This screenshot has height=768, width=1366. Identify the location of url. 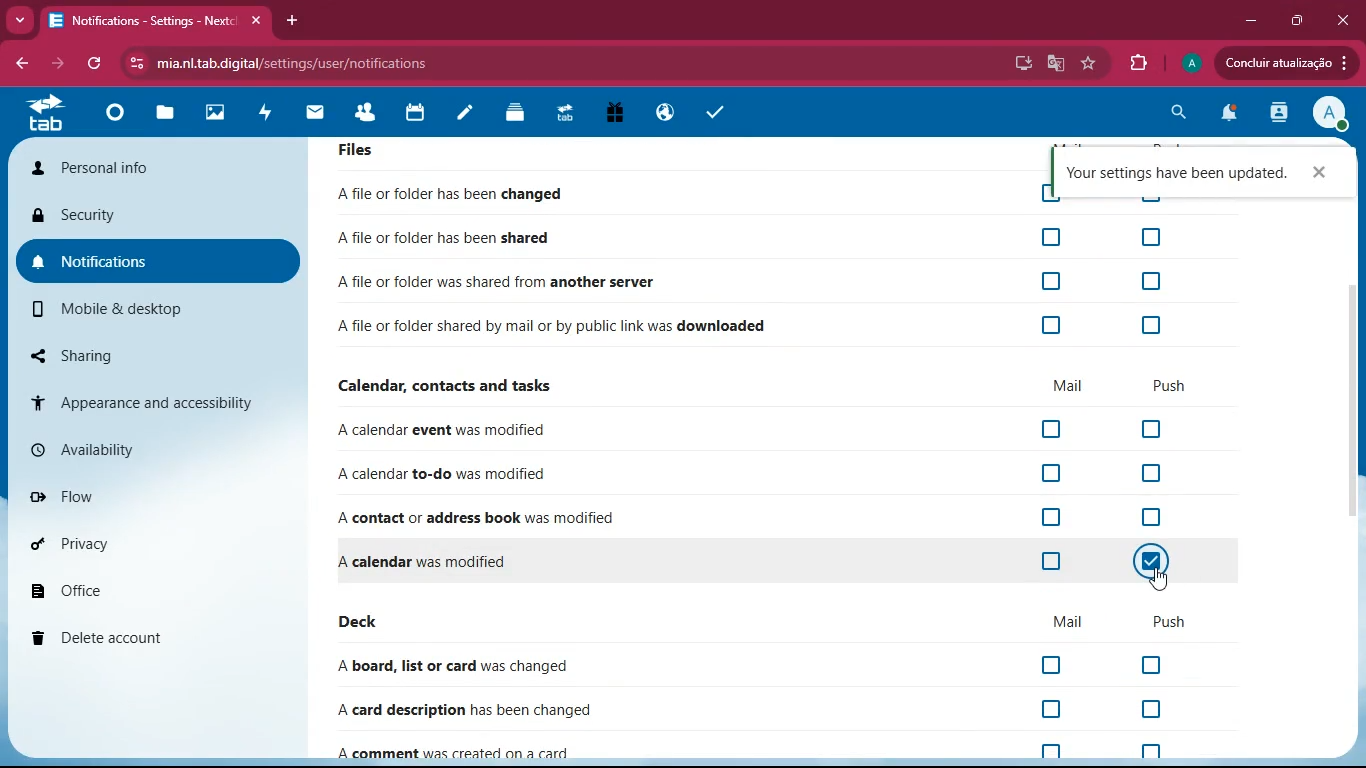
(336, 63).